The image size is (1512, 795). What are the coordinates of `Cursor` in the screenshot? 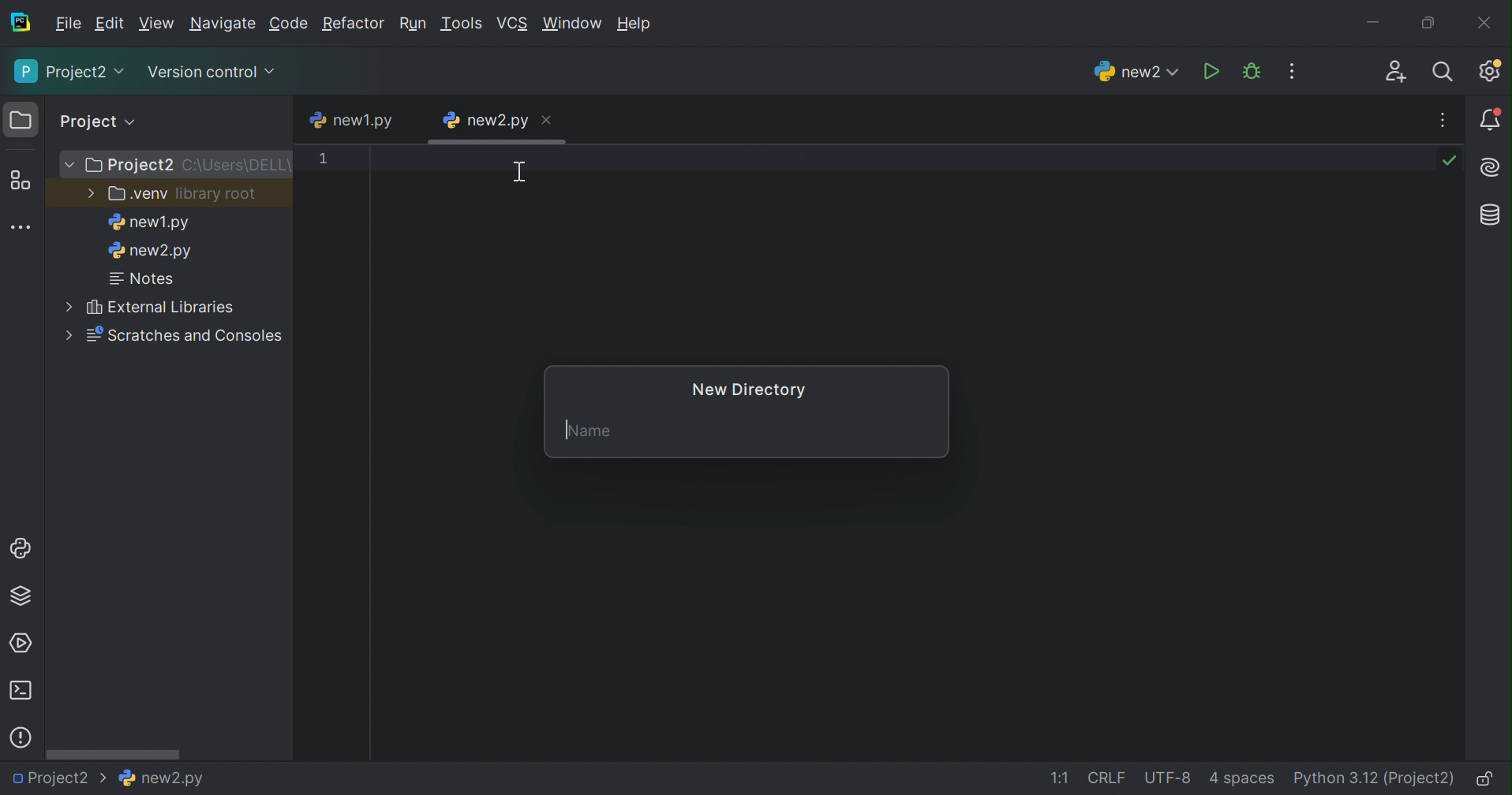 It's located at (520, 174).